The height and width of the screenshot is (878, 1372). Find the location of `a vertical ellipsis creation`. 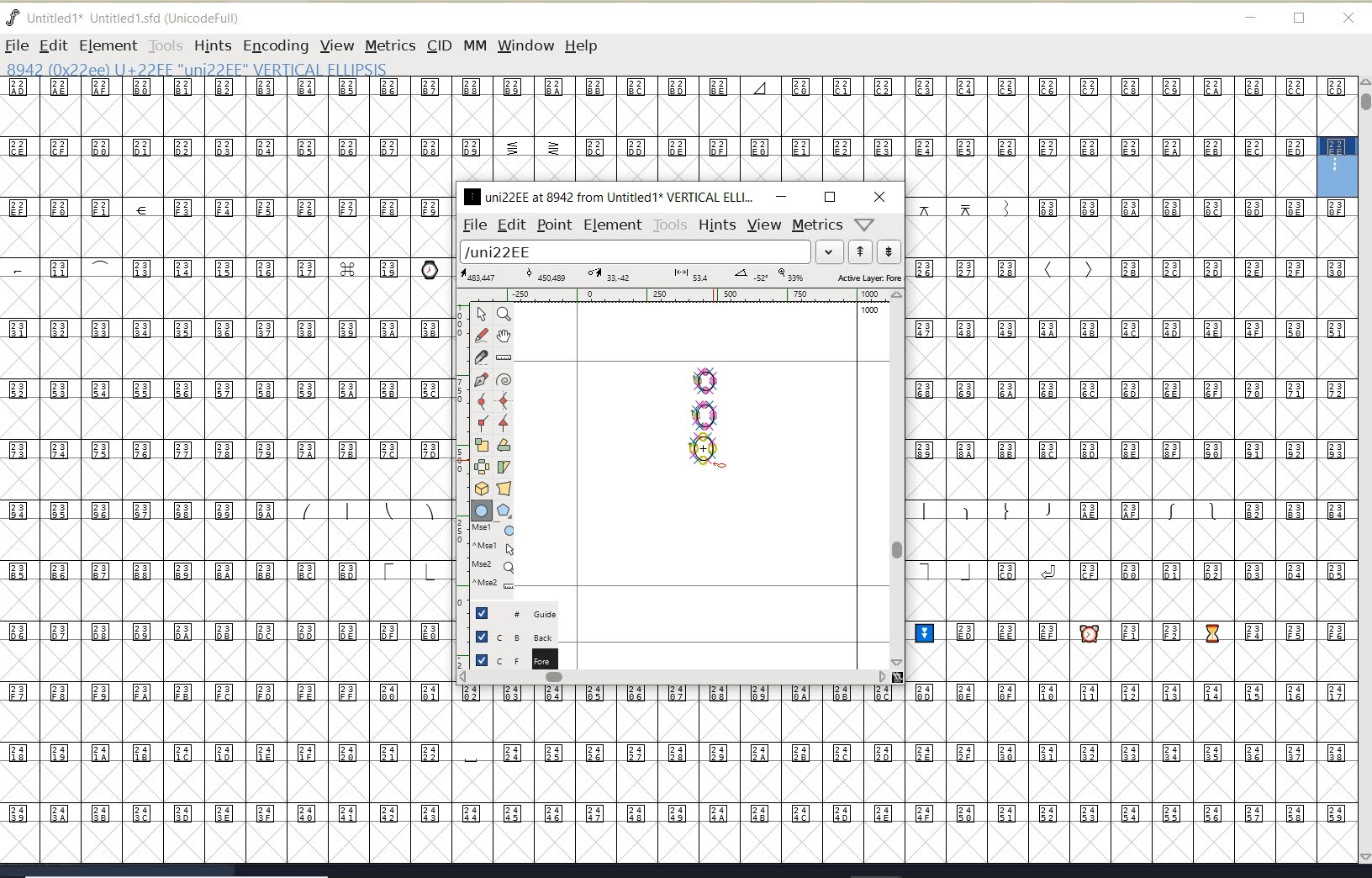

a vertical ellipsis creation is located at coordinates (707, 378).